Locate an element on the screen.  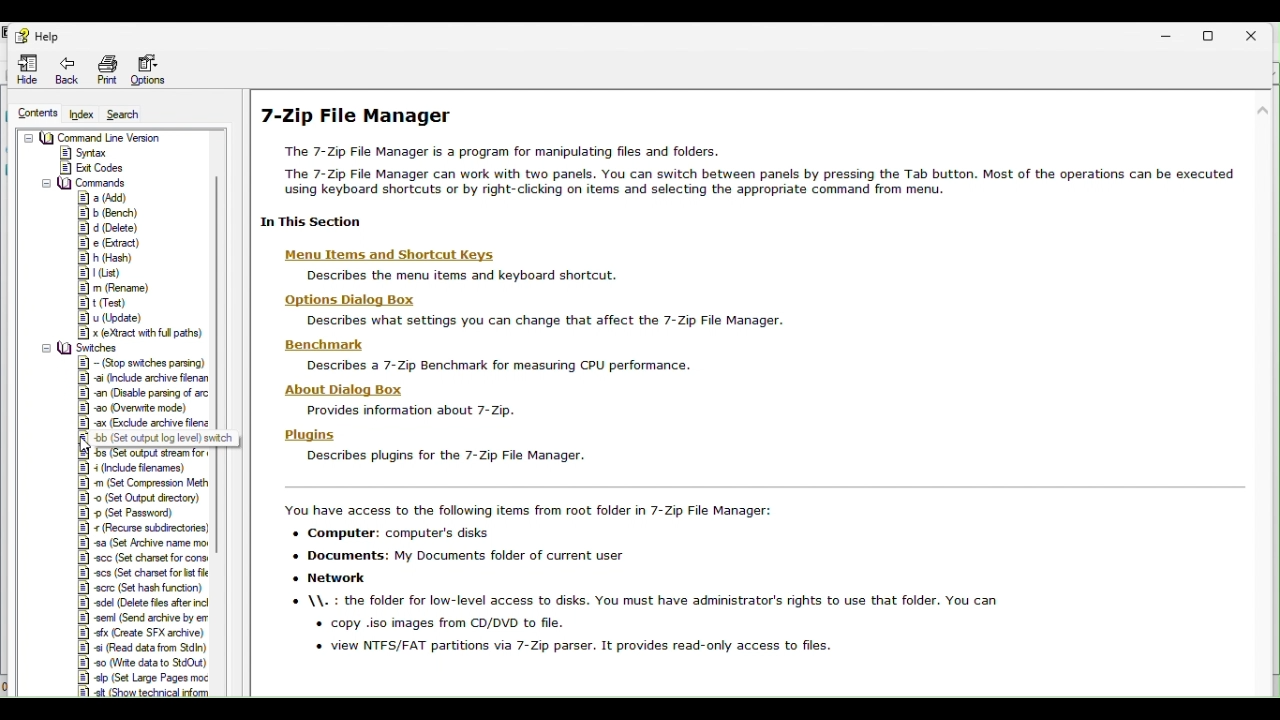
Provides information about 7-Zip. is located at coordinates (403, 411).